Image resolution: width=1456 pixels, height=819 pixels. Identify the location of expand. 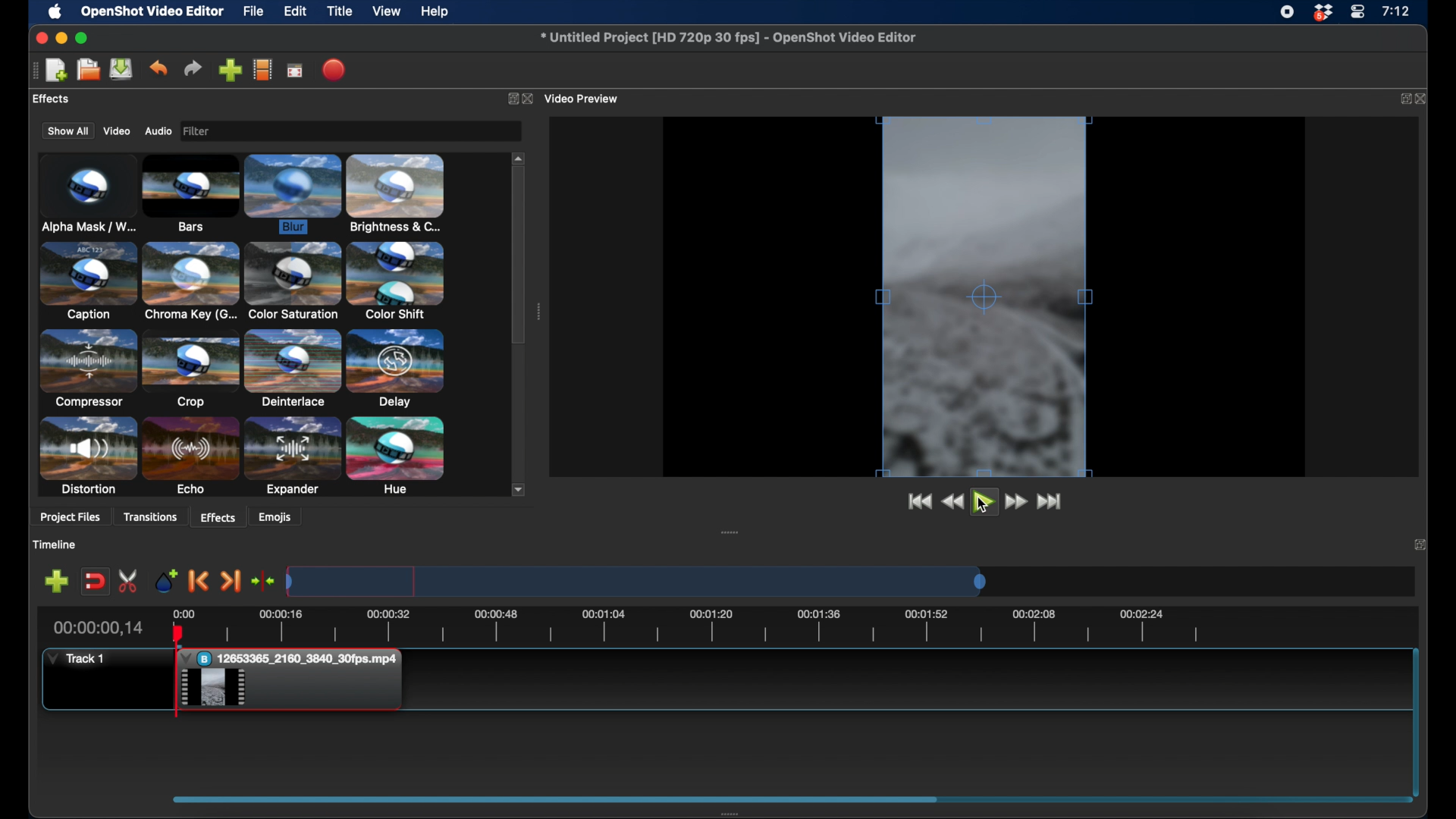
(510, 98).